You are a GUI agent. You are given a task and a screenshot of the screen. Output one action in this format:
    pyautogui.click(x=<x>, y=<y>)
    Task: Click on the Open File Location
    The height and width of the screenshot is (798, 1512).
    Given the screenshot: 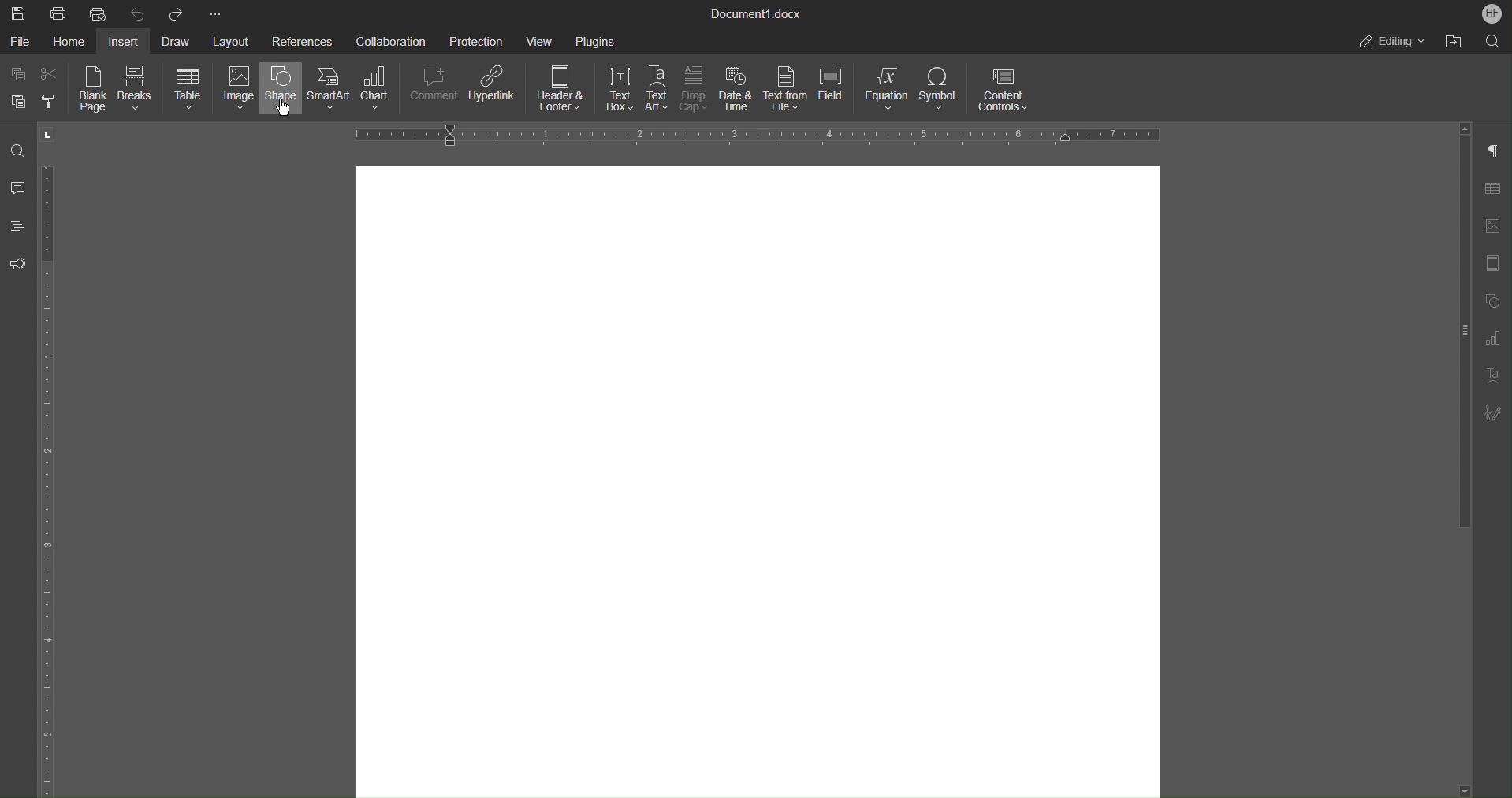 What is the action you would take?
    pyautogui.click(x=1453, y=42)
    